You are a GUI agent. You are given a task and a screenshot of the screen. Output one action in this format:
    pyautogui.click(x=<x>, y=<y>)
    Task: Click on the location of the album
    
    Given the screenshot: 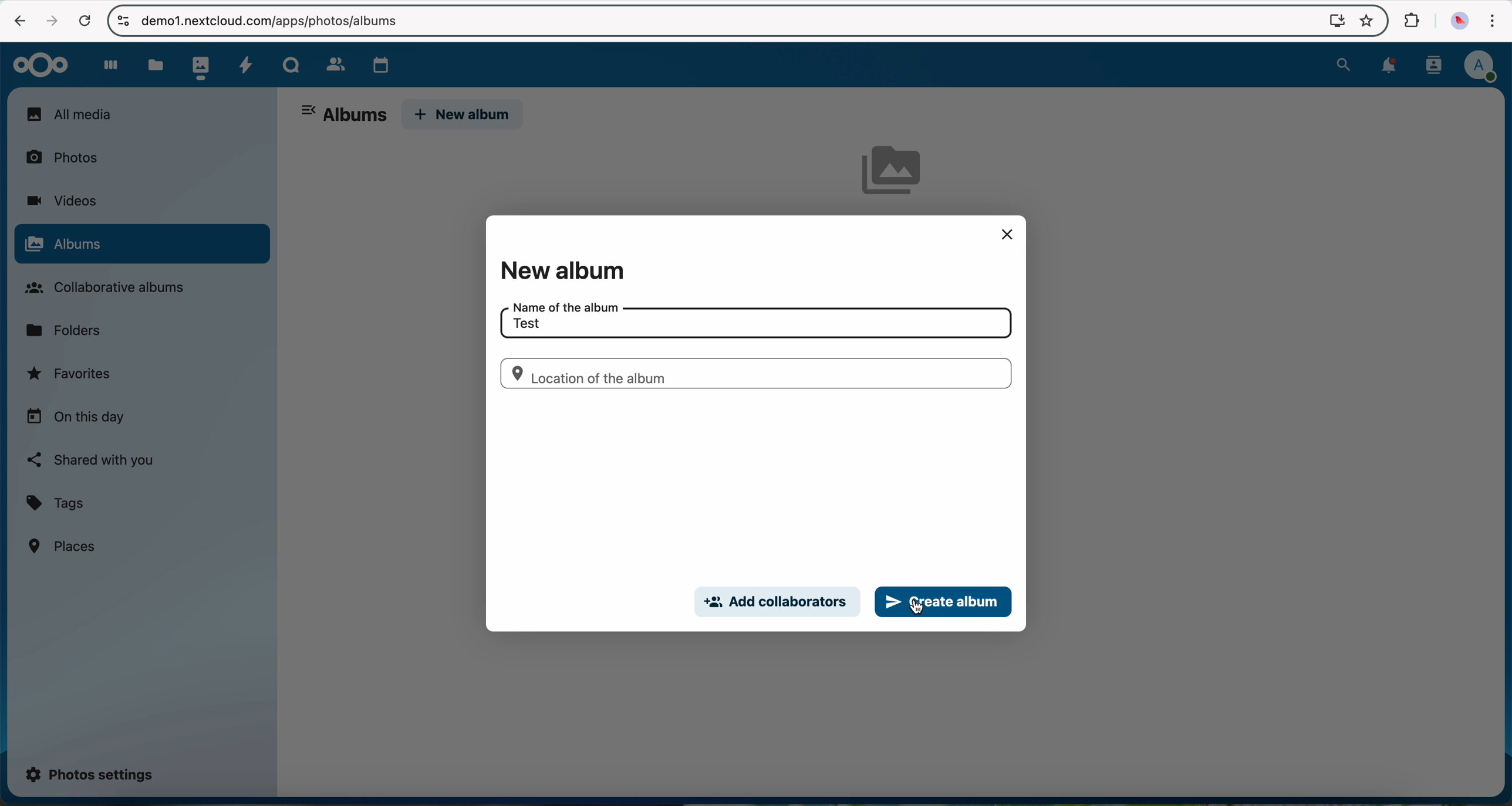 What is the action you would take?
    pyautogui.click(x=754, y=373)
    